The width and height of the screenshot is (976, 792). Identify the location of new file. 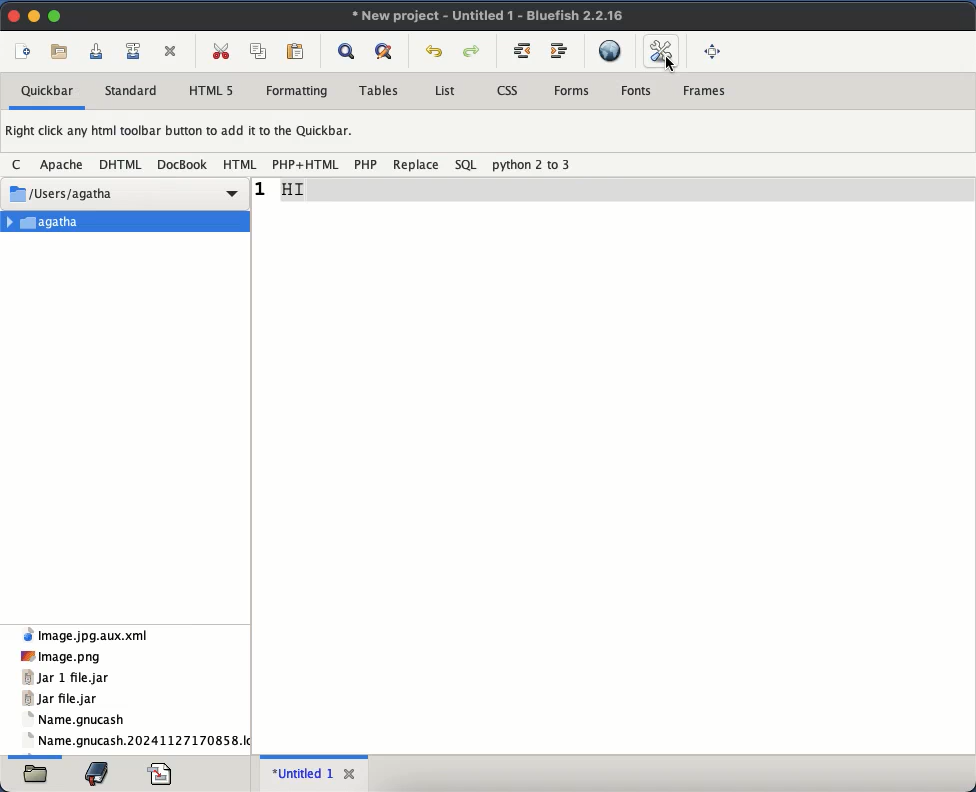
(23, 51).